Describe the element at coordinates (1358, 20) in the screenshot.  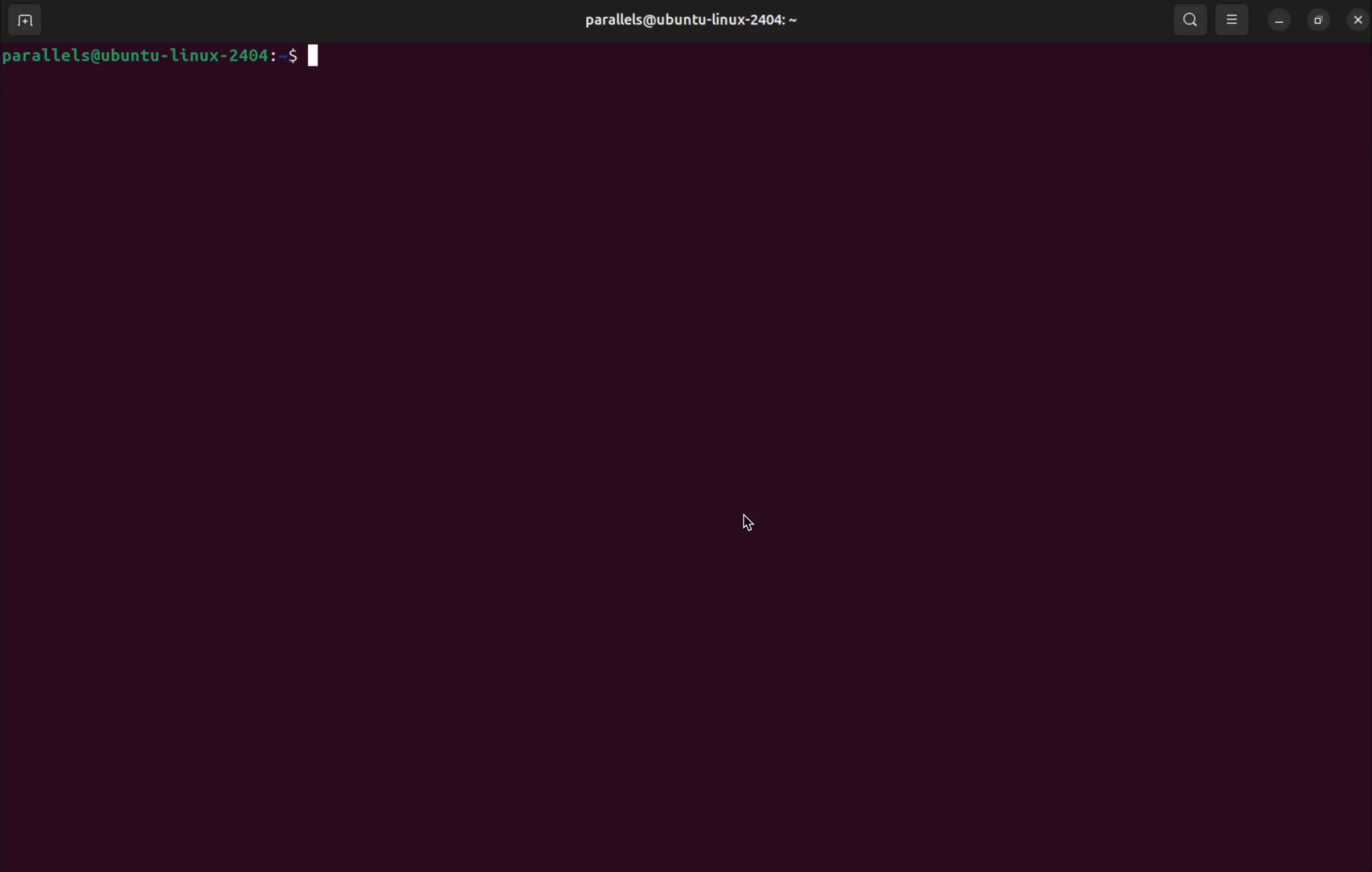
I see `close` at that location.